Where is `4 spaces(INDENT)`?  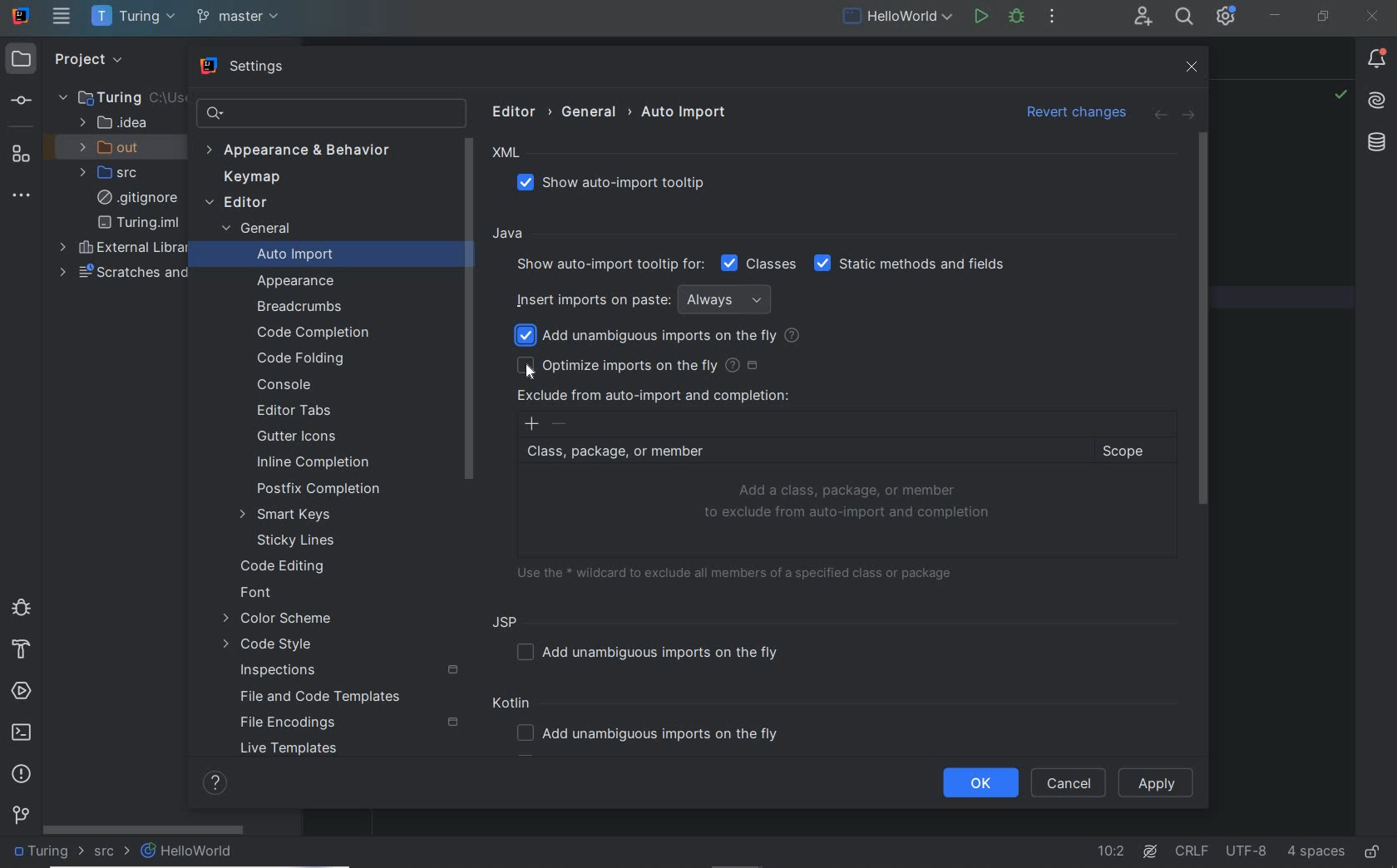
4 spaces(INDENT) is located at coordinates (1316, 850).